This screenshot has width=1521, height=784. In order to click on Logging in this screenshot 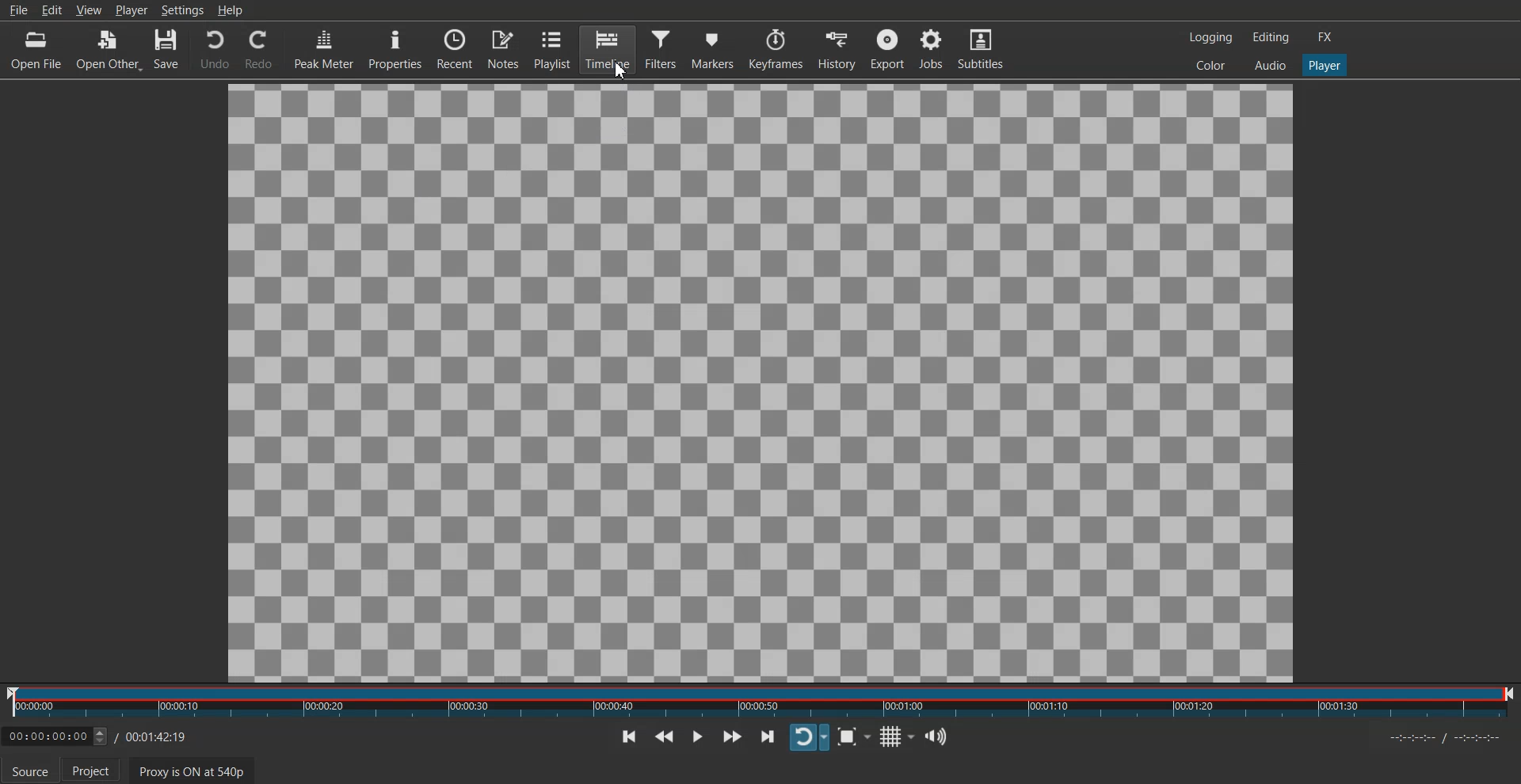, I will do `click(1211, 37)`.